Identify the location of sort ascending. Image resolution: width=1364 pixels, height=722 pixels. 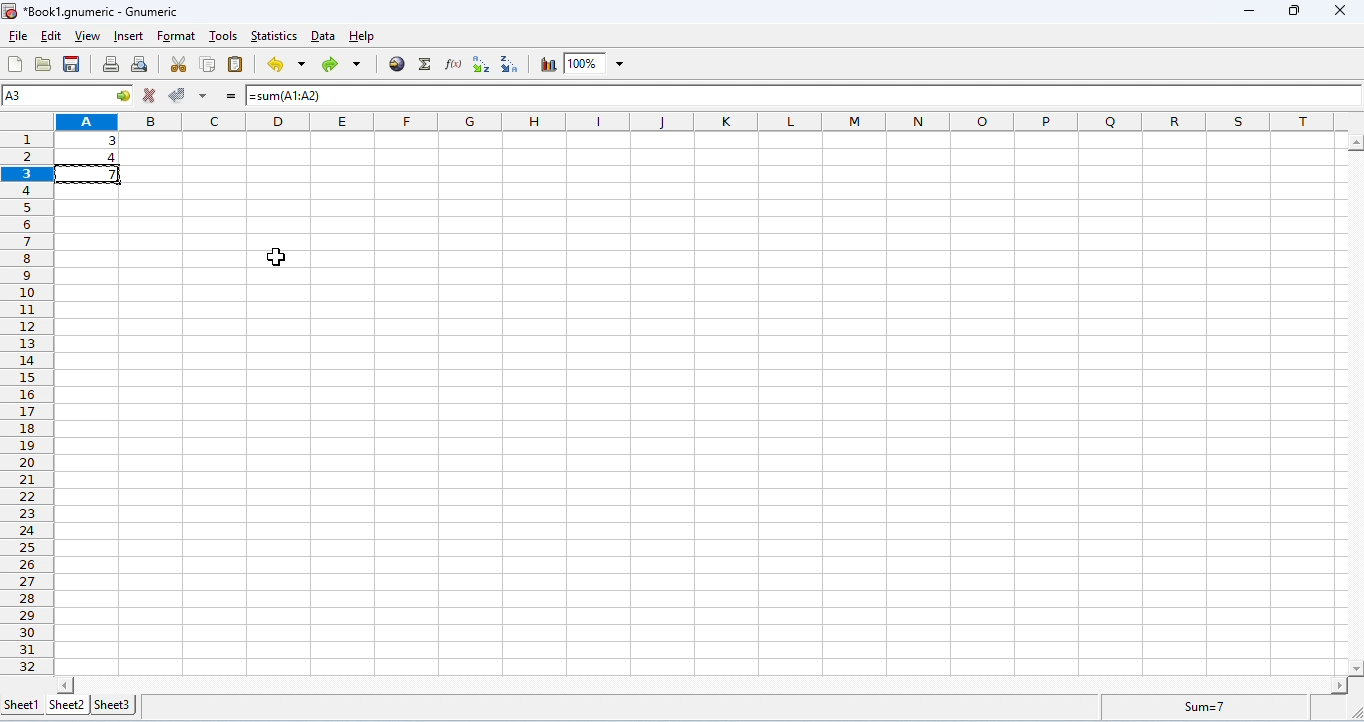
(483, 64).